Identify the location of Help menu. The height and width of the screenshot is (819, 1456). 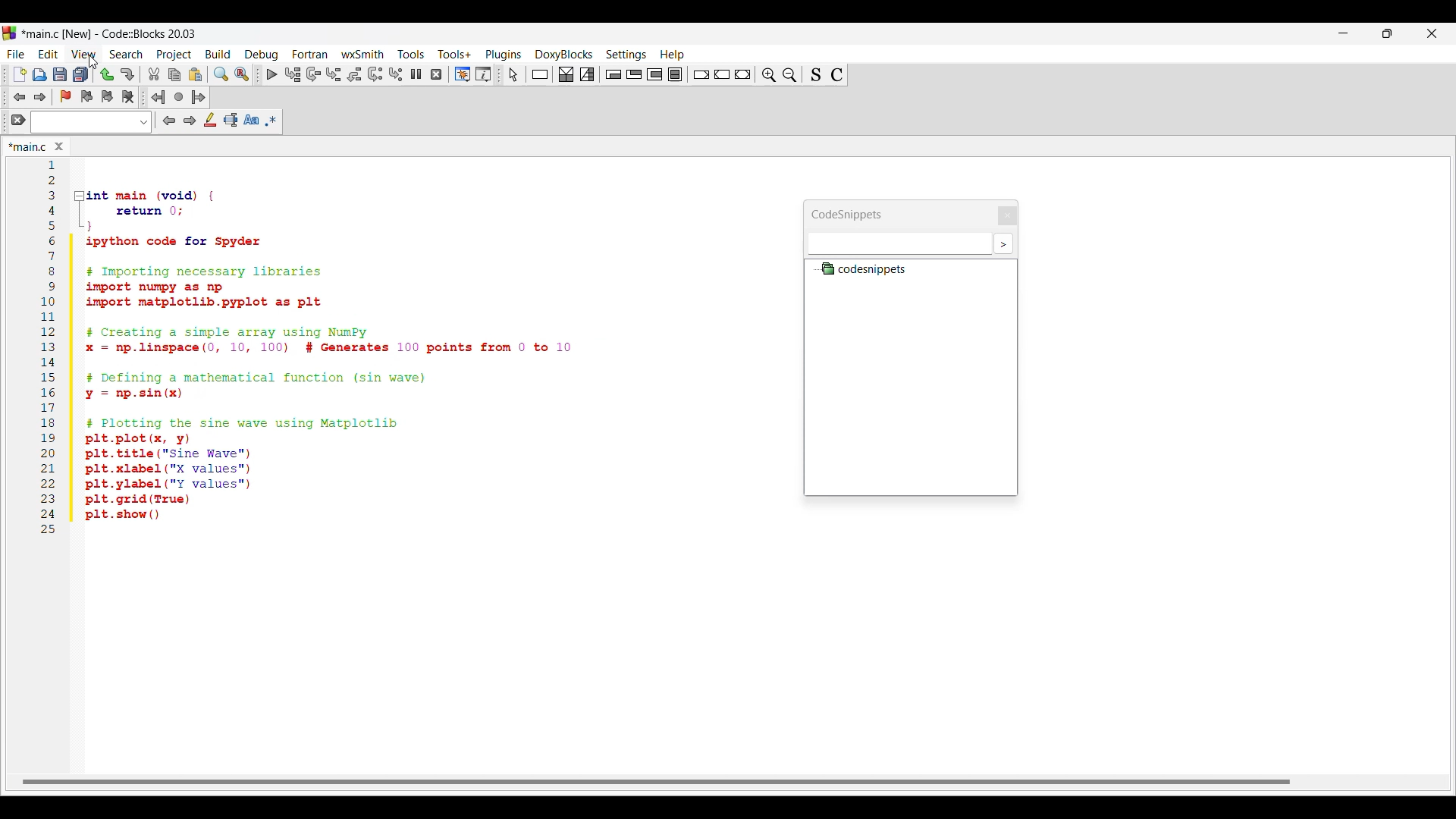
(672, 55).